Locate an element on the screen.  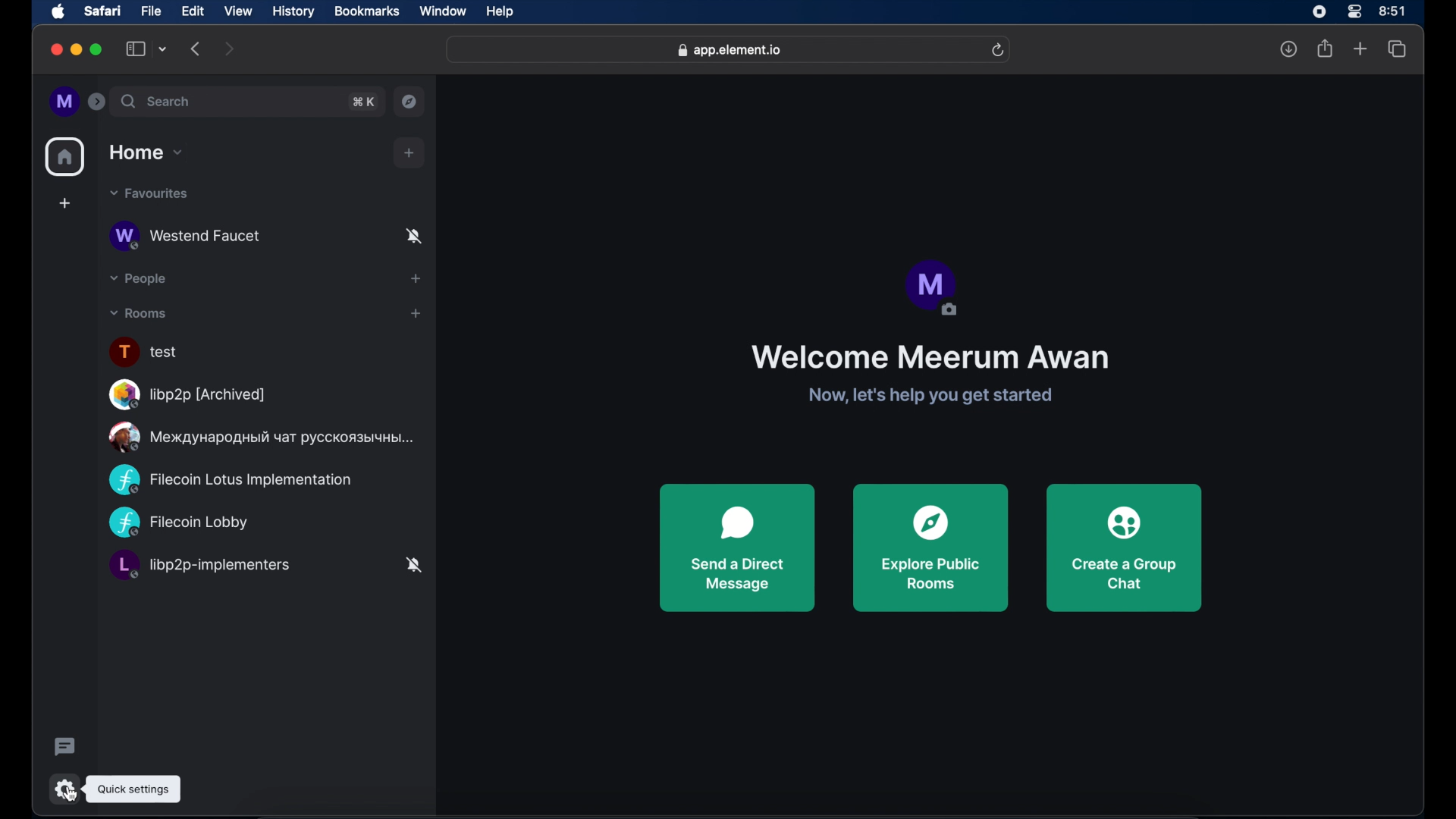
refresh is located at coordinates (1000, 49).